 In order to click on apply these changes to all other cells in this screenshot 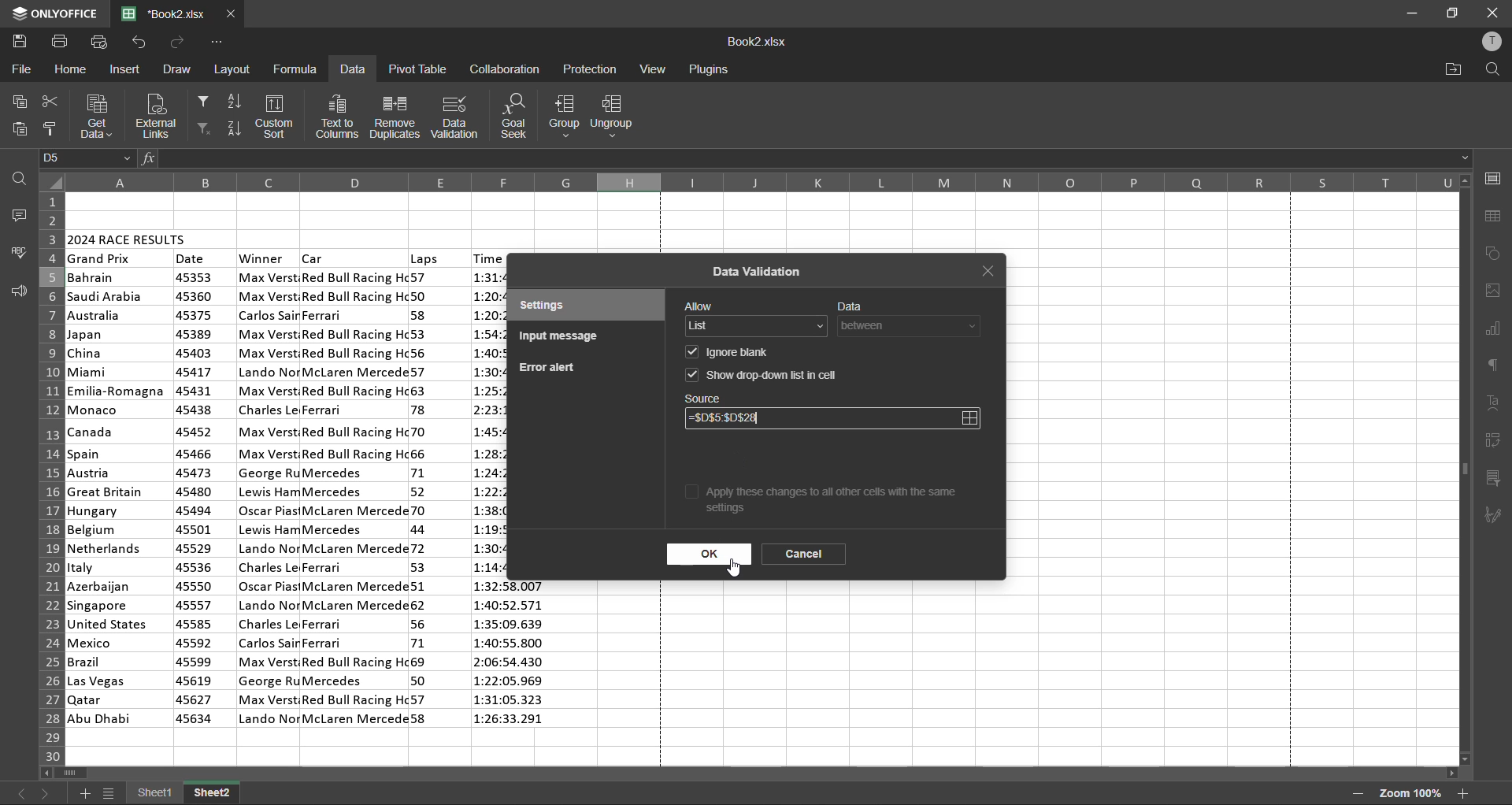, I will do `click(839, 503)`.